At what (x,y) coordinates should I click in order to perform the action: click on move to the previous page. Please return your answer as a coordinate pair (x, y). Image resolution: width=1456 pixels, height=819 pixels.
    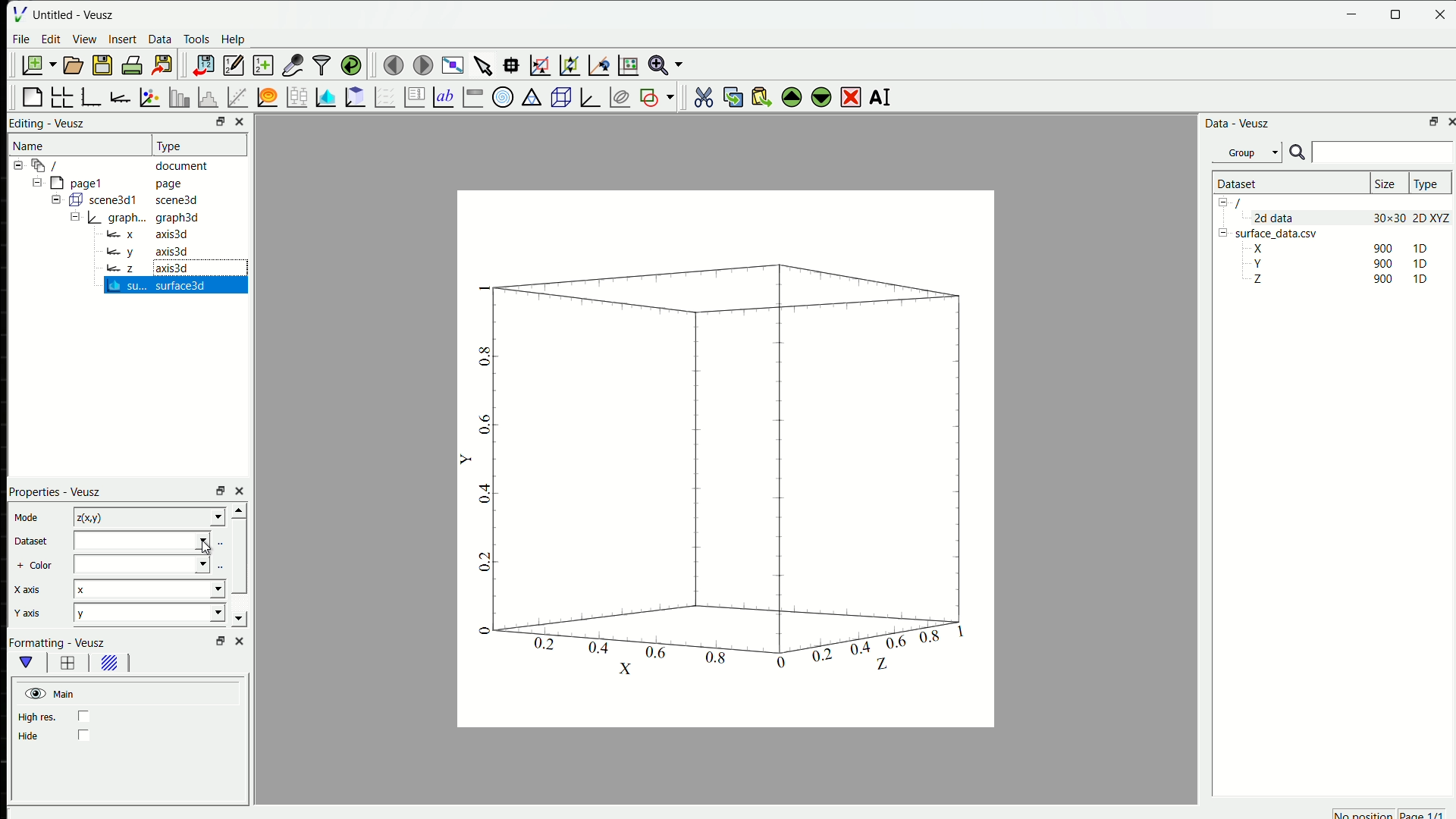
    Looking at the image, I should click on (394, 64).